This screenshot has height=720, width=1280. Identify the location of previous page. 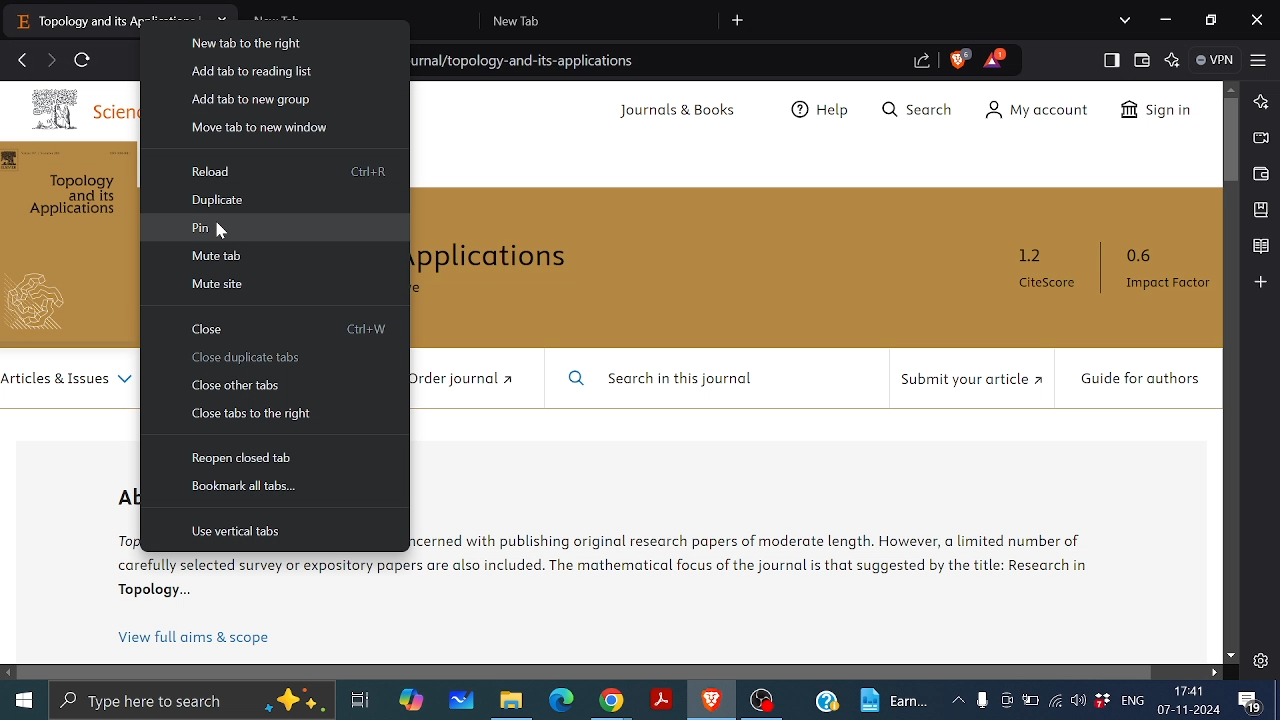
(22, 59).